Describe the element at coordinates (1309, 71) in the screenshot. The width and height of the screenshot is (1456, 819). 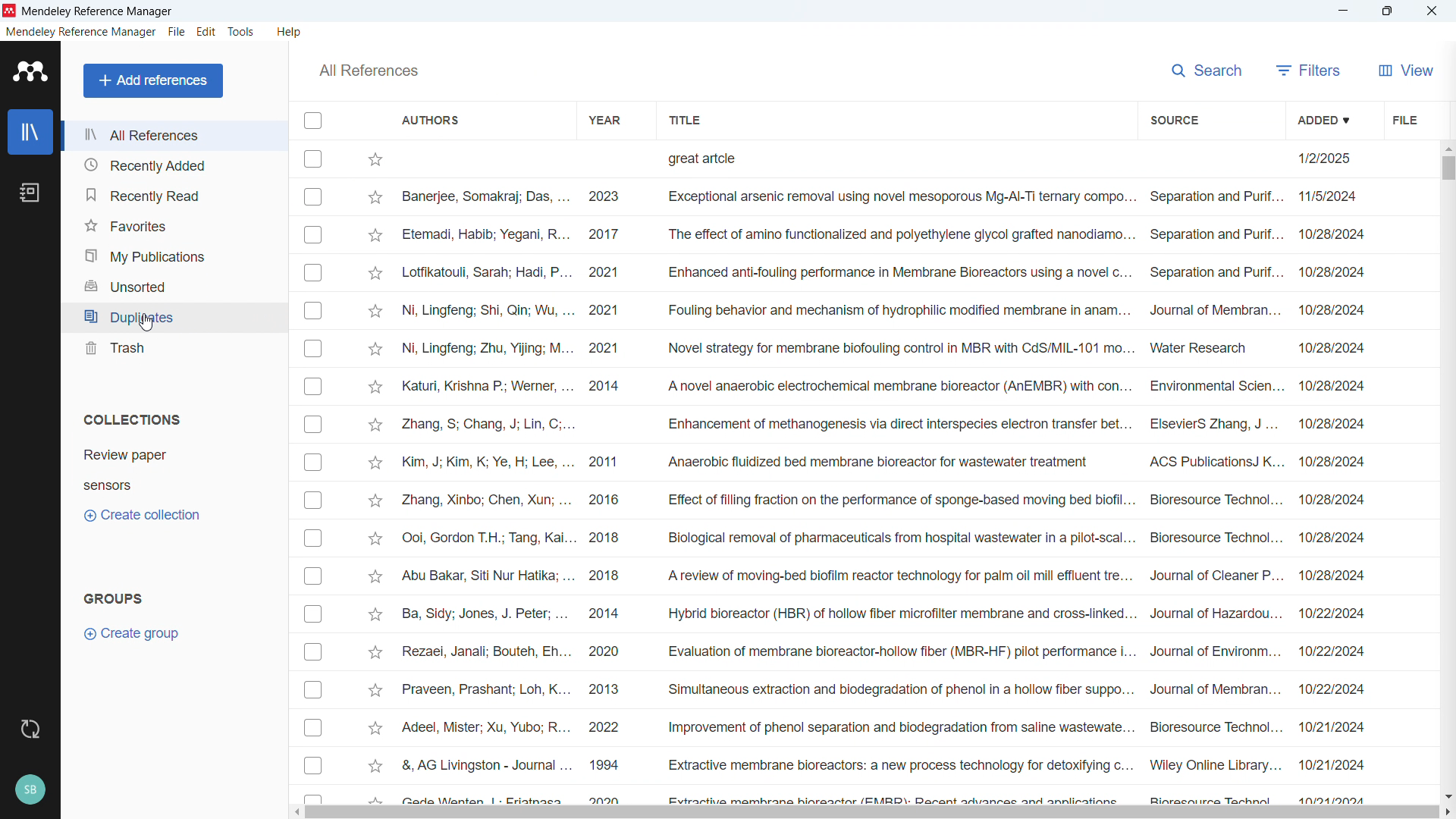
I see `filters` at that location.